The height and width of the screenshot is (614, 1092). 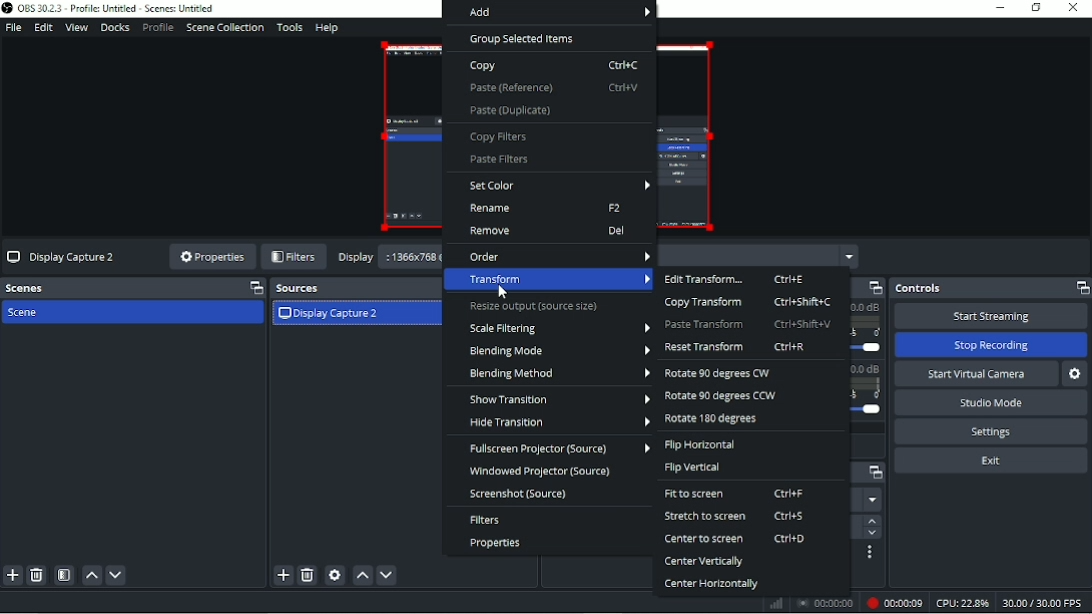 I want to click on Move source(s) down, so click(x=387, y=576).